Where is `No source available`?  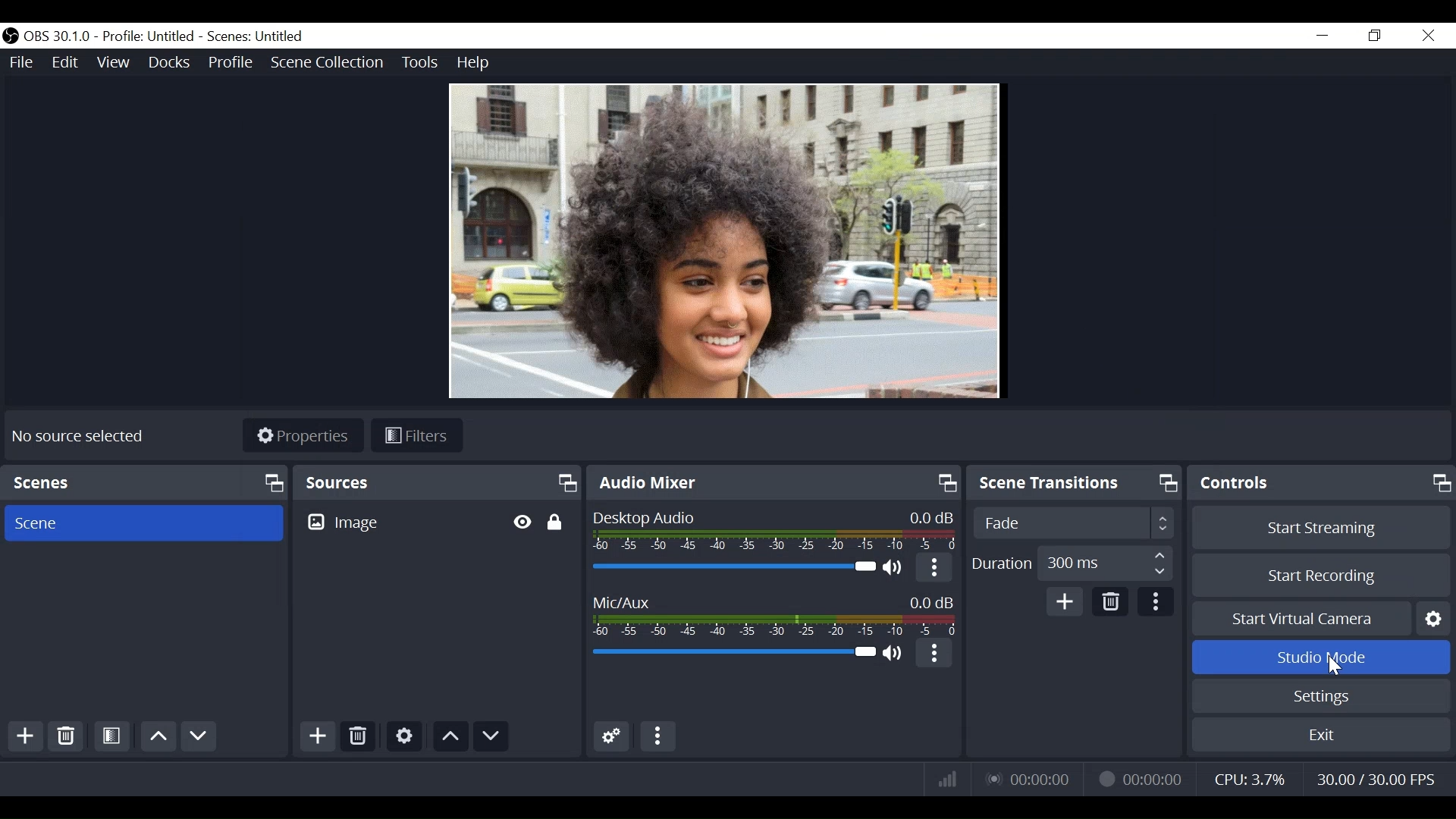 No source available is located at coordinates (78, 437).